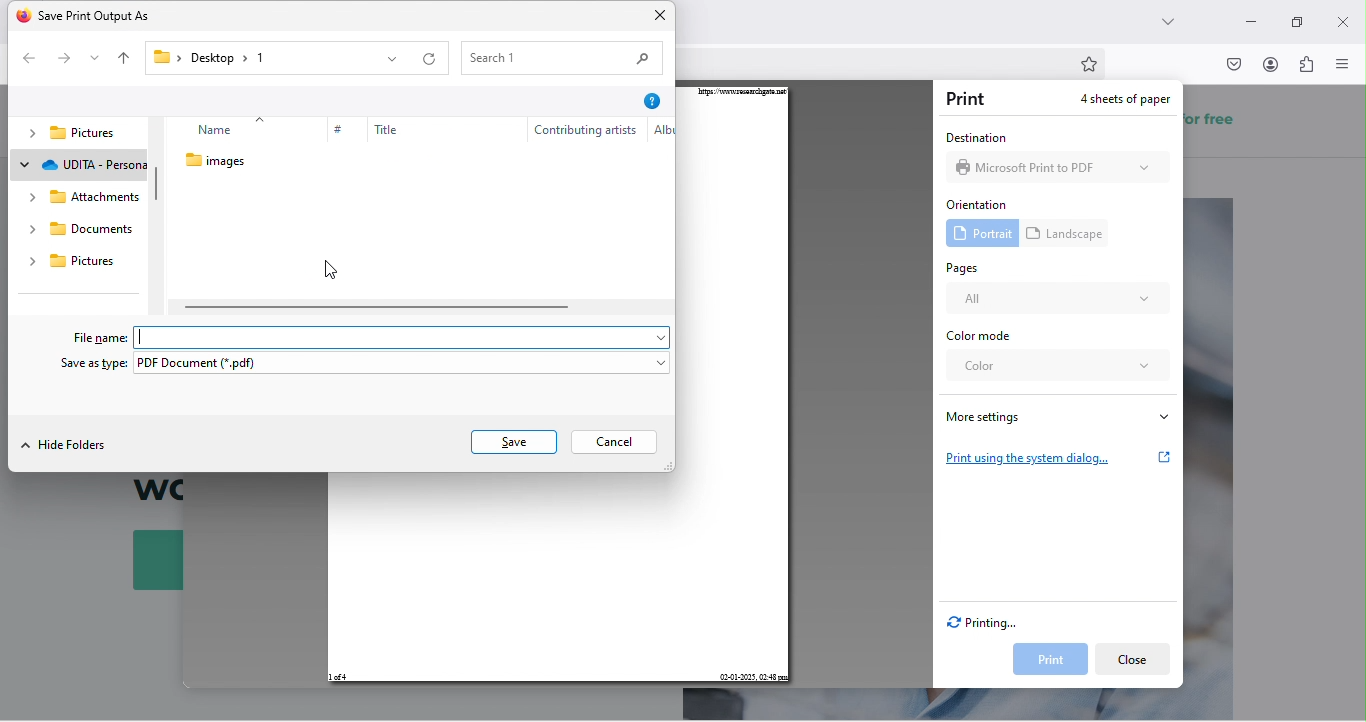  I want to click on hide folder, so click(70, 445).